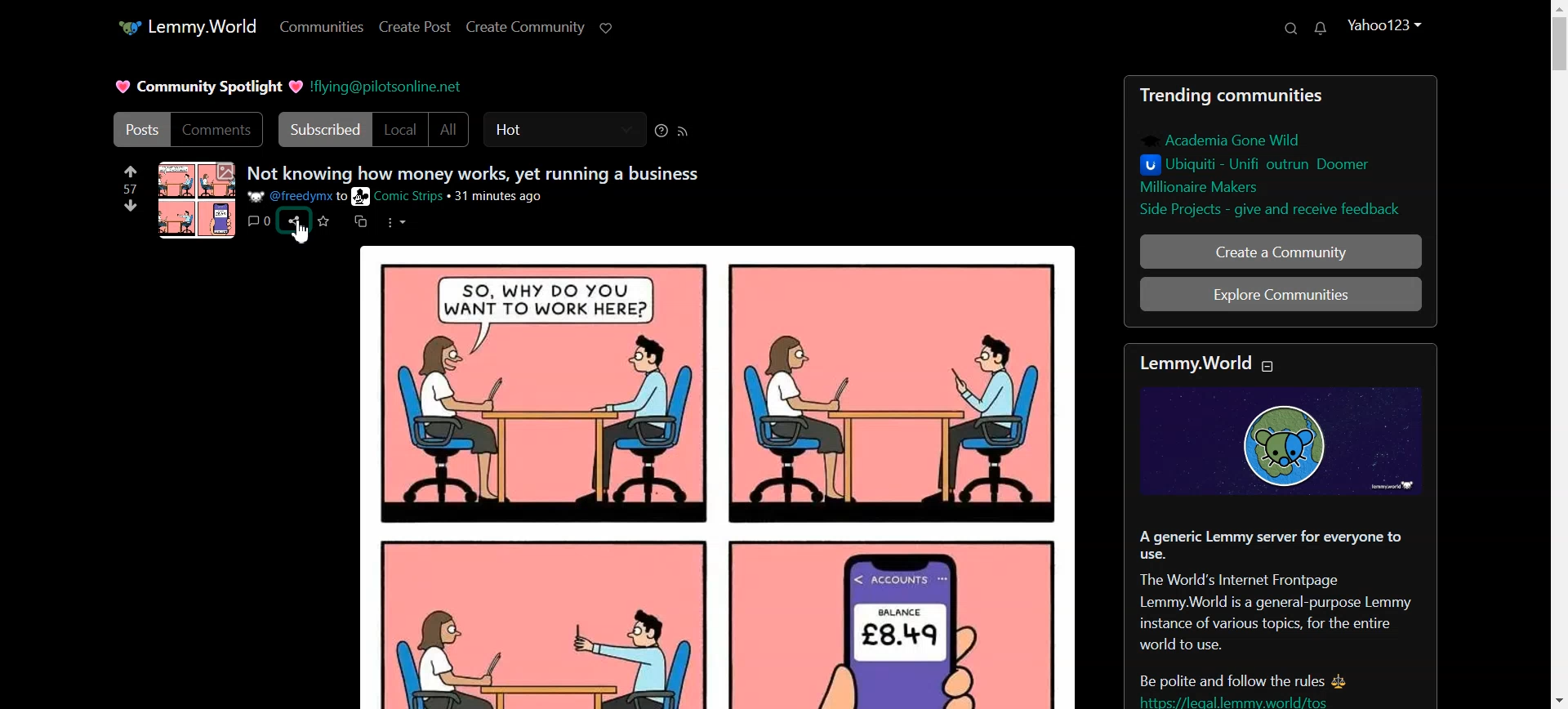 This screenshot has height=709, width=1568. I want to click on All, so click(449, 129).